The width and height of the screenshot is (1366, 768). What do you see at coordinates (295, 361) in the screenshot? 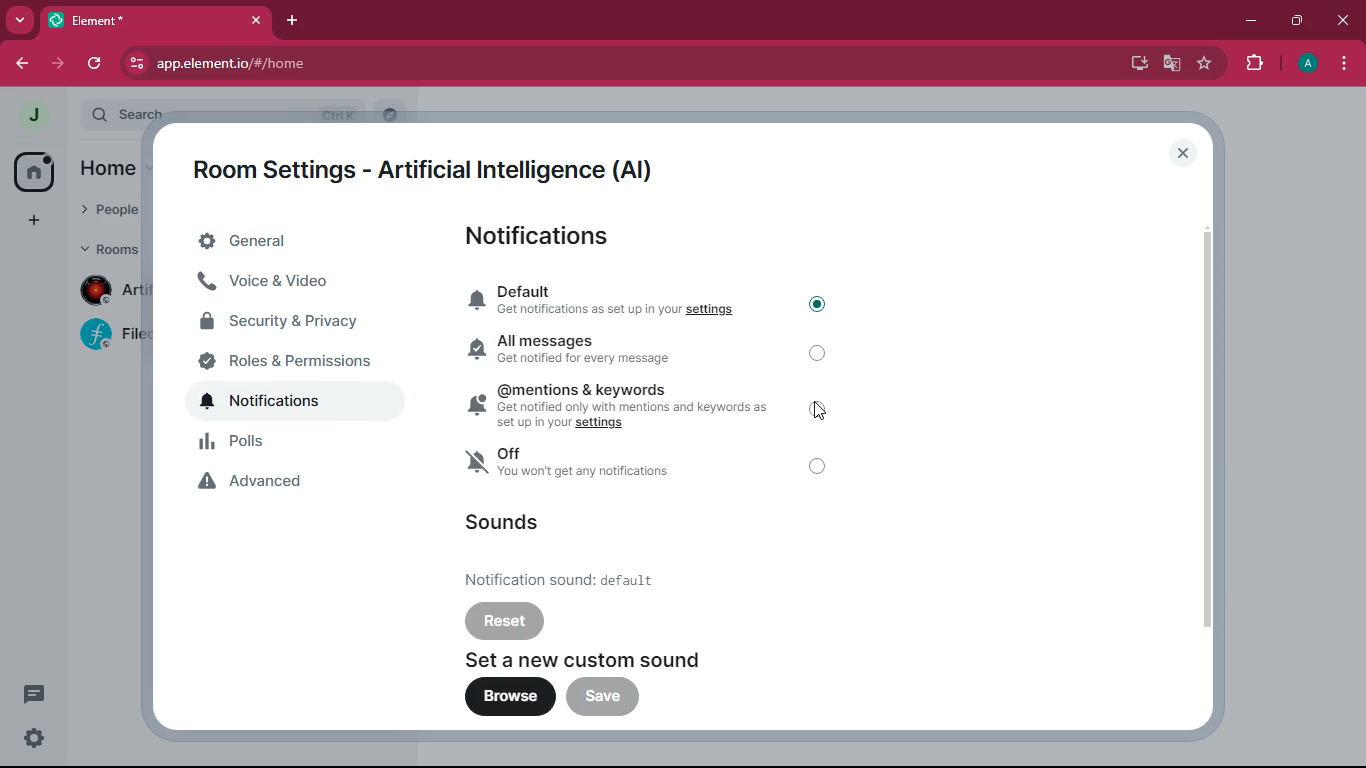
I see `roles and premissions` at bounding box center [295, 361].